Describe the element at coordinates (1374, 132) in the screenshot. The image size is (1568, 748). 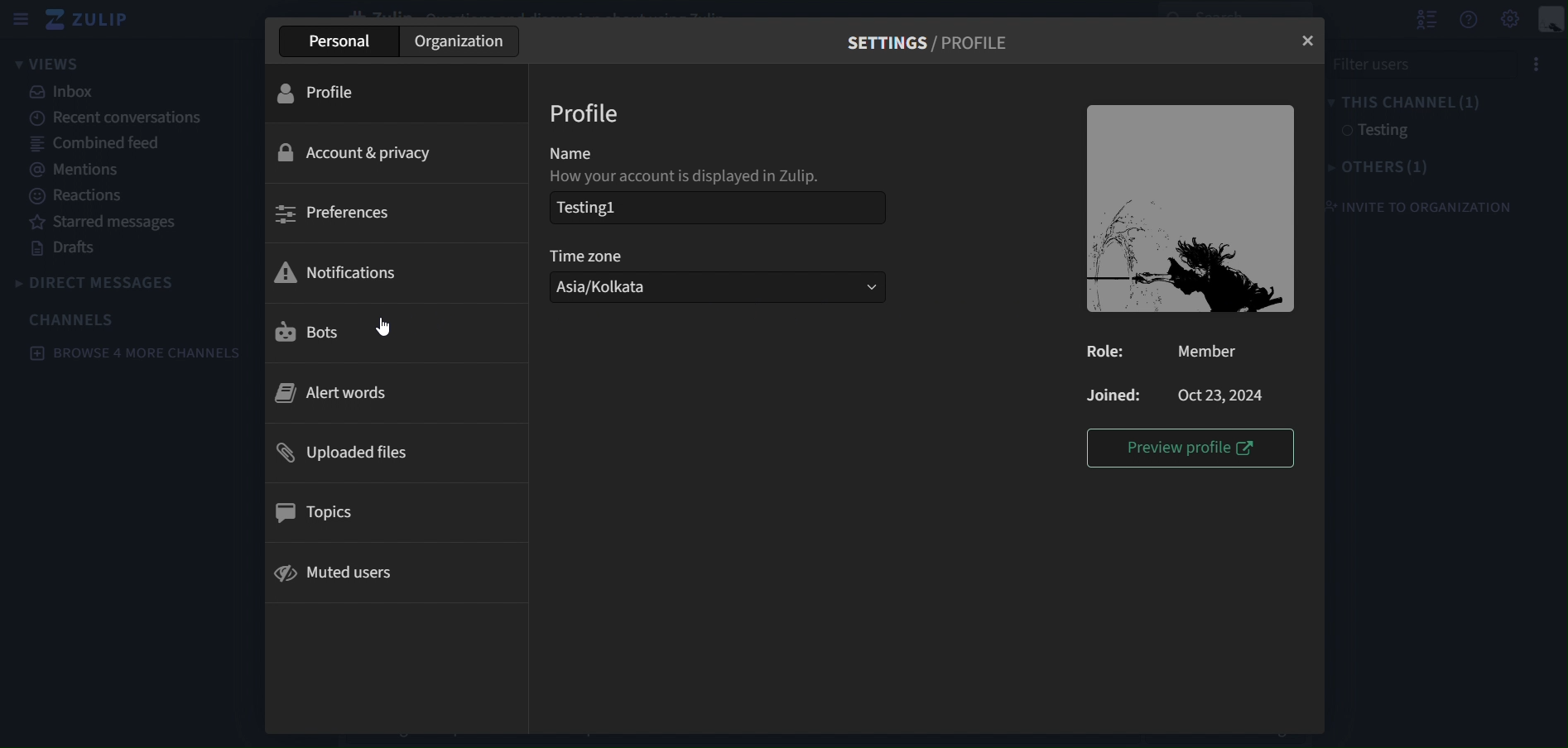
I see `testing` at that location.